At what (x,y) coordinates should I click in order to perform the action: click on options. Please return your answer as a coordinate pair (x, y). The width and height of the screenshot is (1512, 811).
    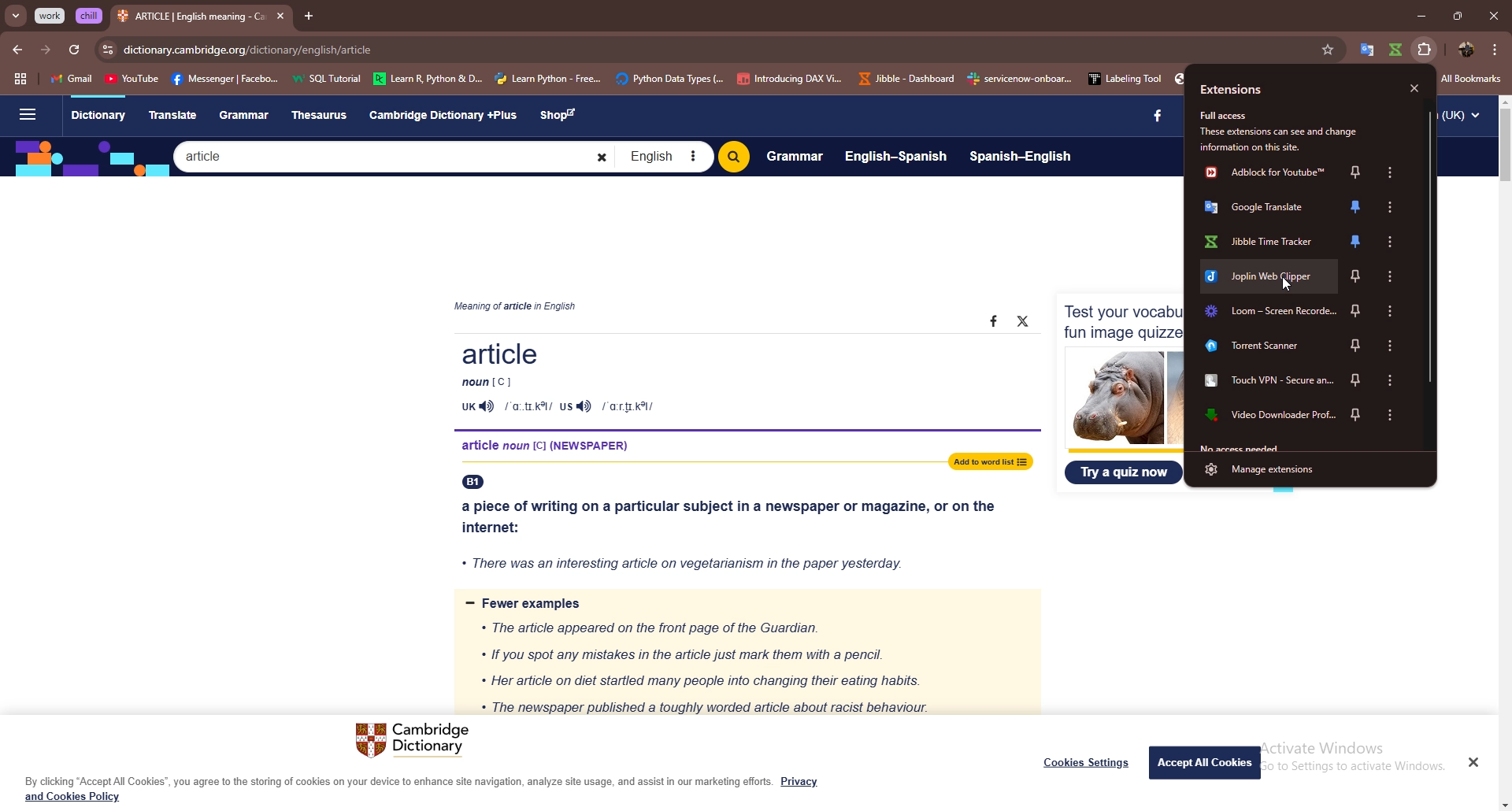
    Looking at the image, I should click on (1392, 276).